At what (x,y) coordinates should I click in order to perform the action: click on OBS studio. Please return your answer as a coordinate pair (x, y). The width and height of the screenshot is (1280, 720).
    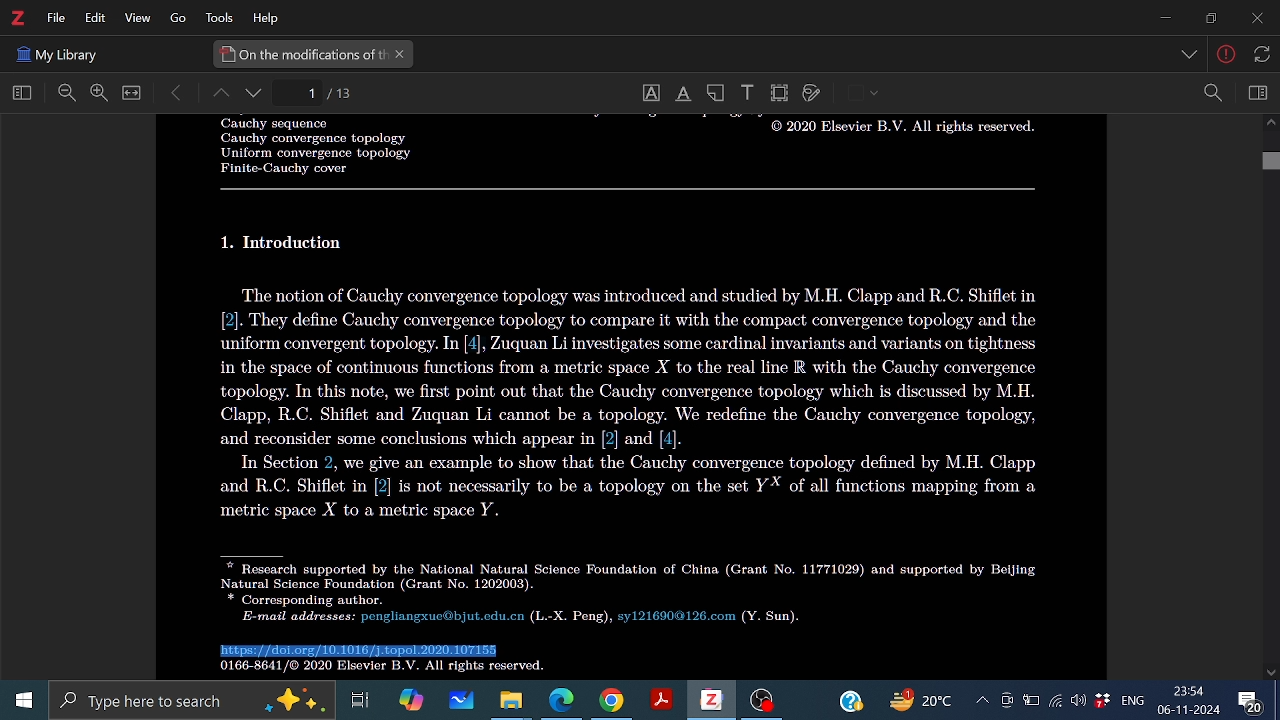
    Looking at the image, I should click on (762, 702).